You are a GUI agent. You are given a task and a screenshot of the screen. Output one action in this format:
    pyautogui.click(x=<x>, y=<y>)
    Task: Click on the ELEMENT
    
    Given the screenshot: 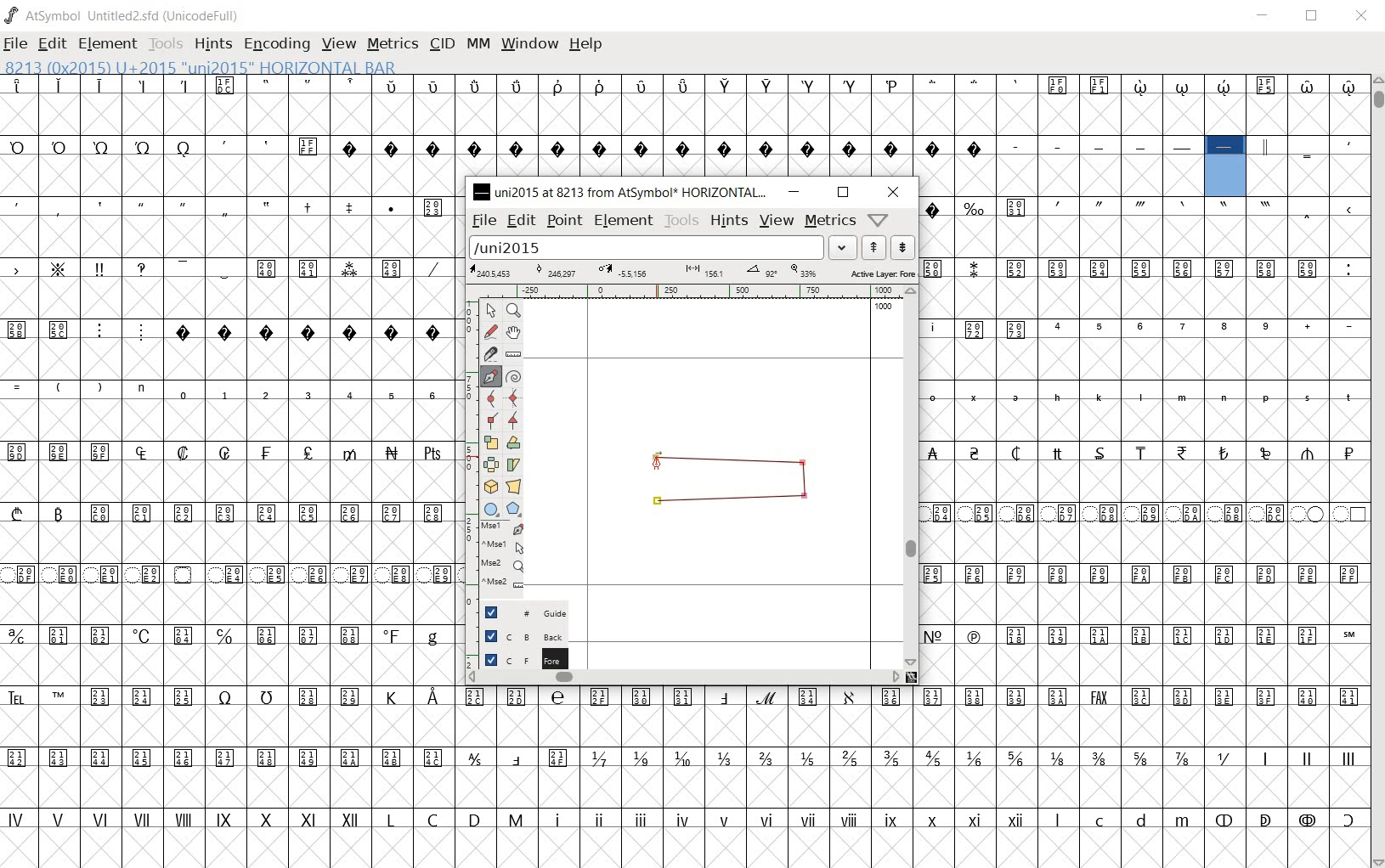 What is the action you would take?
    pyautogui.click(x=109, y=43)
    